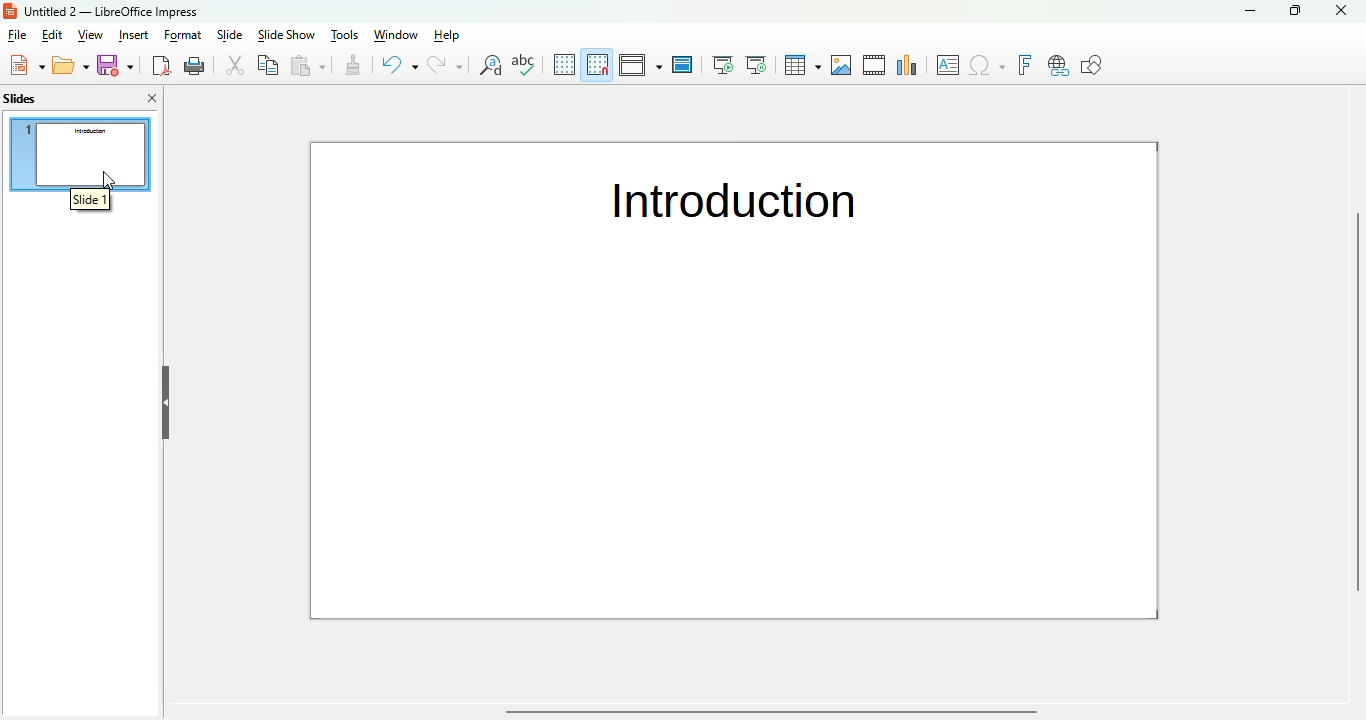  I want to click on insert, so click(133, 36).